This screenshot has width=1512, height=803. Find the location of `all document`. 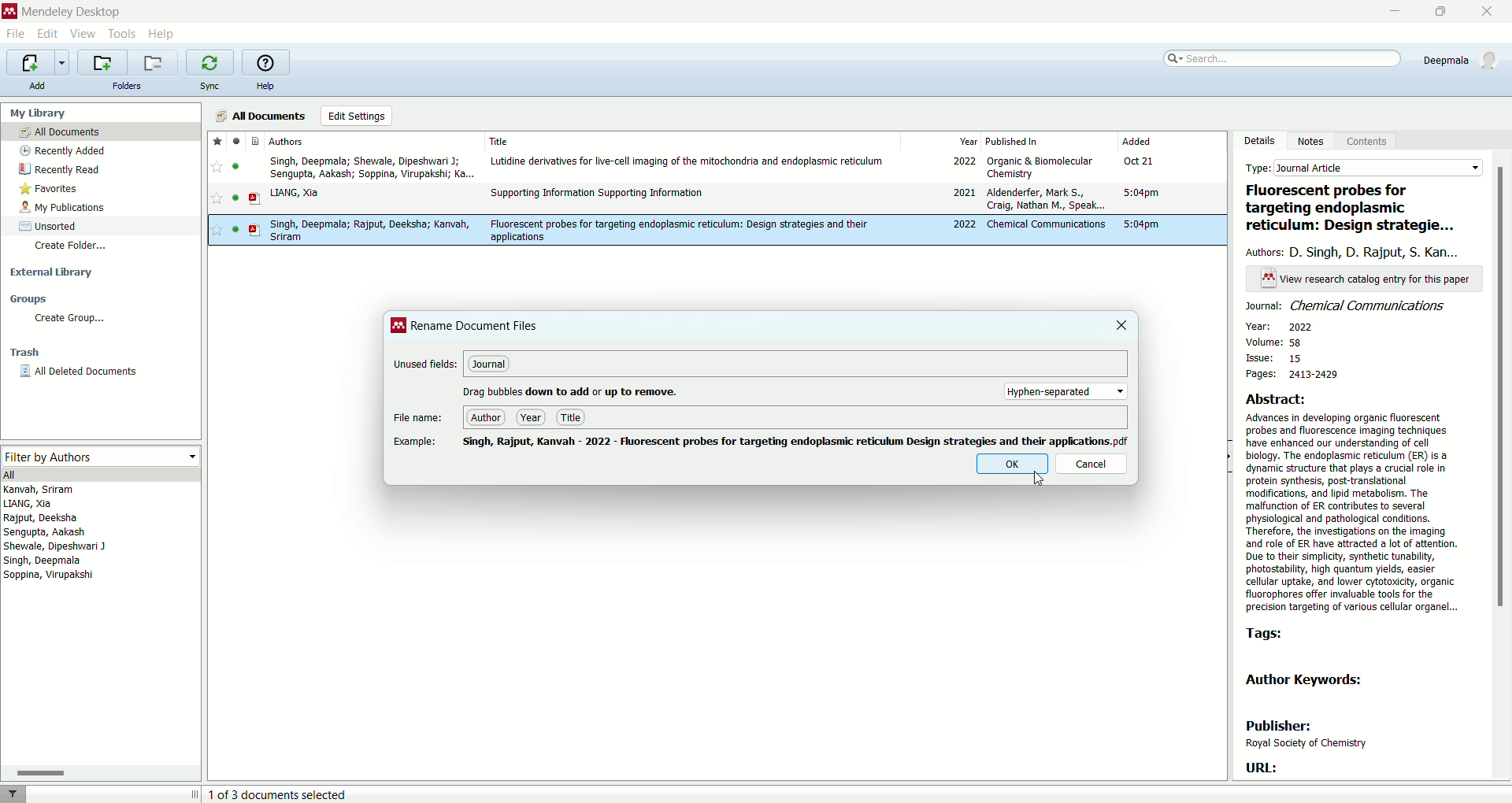

all document is located at coordinates (102, 131).